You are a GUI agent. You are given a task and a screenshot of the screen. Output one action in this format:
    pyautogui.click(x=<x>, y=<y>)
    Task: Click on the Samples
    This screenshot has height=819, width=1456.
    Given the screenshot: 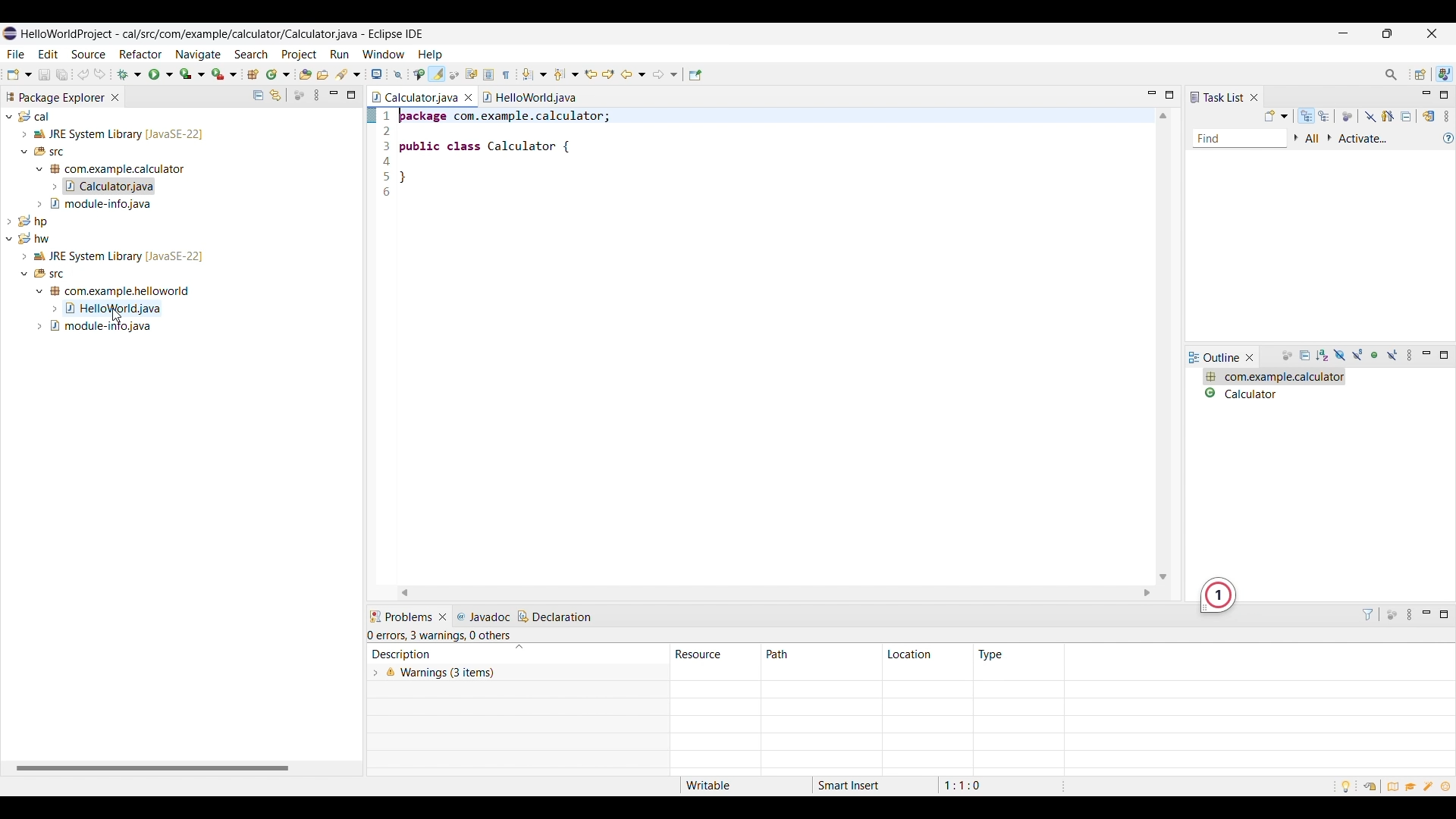 What is the action you would take?
    pyautogui.click(x=1430, y=786)
    